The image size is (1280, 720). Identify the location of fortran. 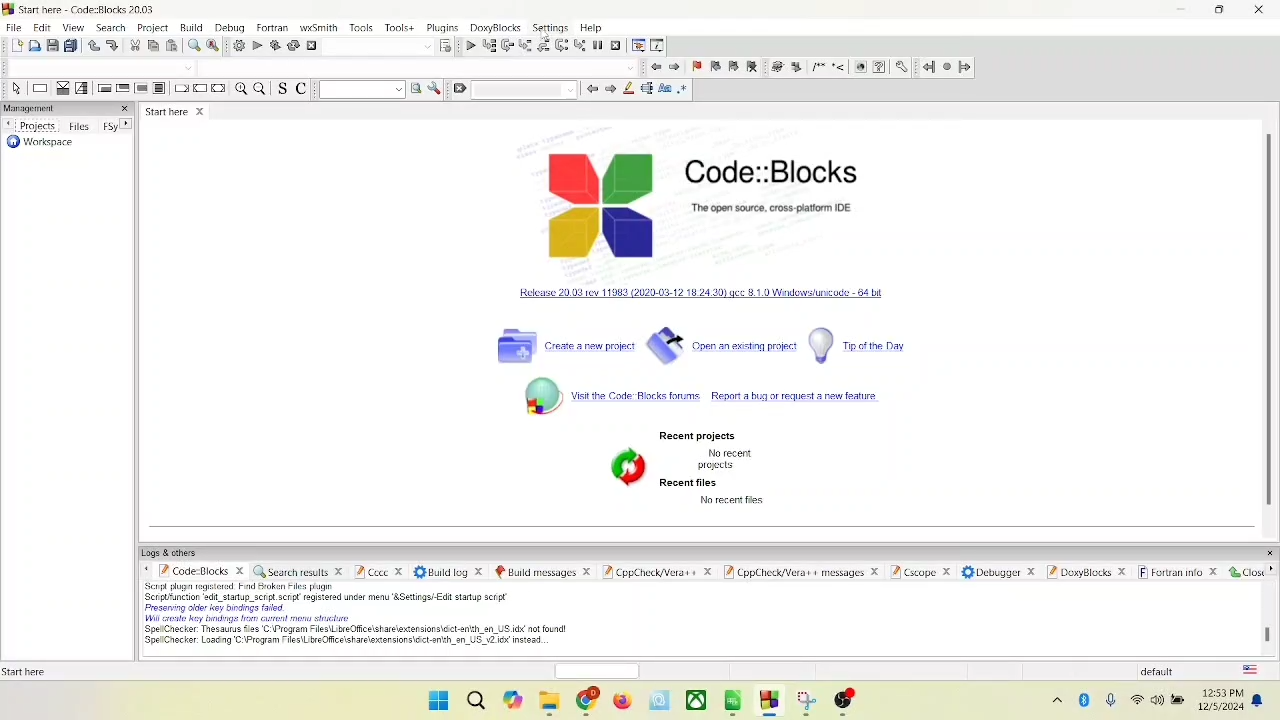
(271, 28).